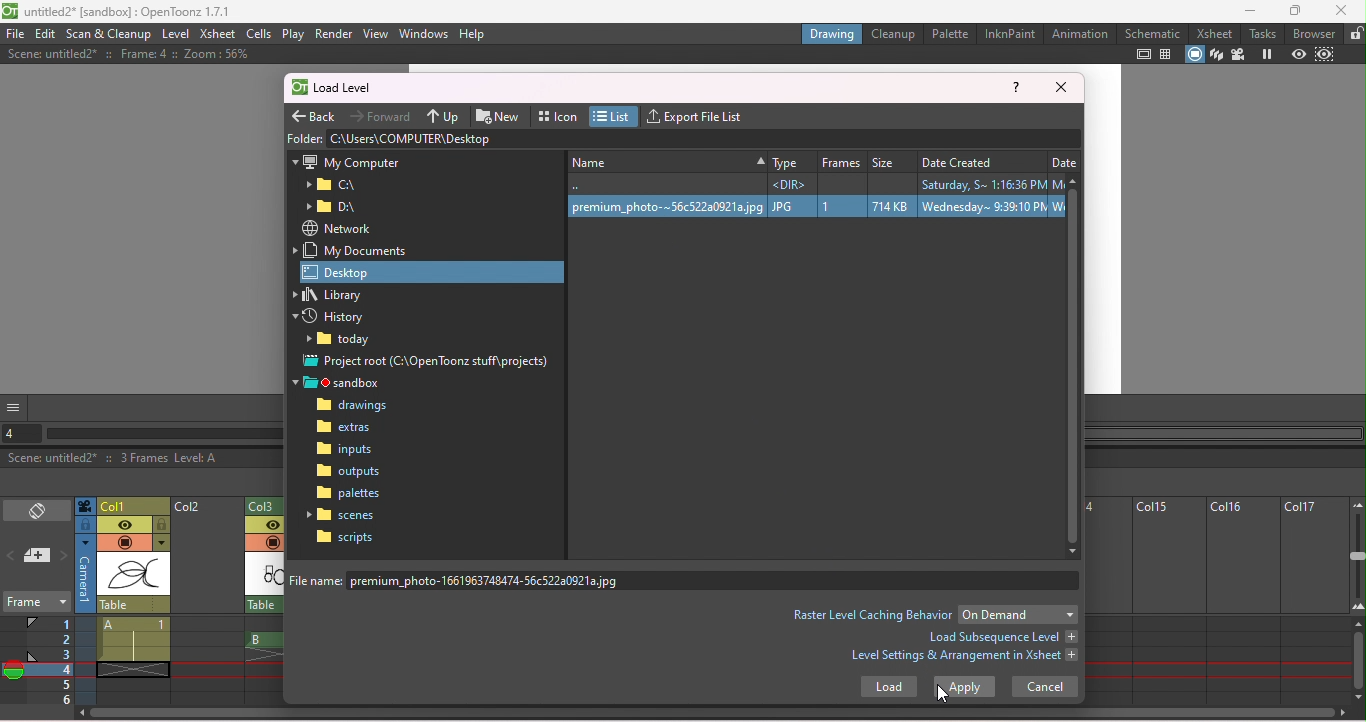 The image size is (1366, 722). What do you see at coordinates (344, 341) in the screenshot?
I see `Folder` at bounding box center [344, 341].